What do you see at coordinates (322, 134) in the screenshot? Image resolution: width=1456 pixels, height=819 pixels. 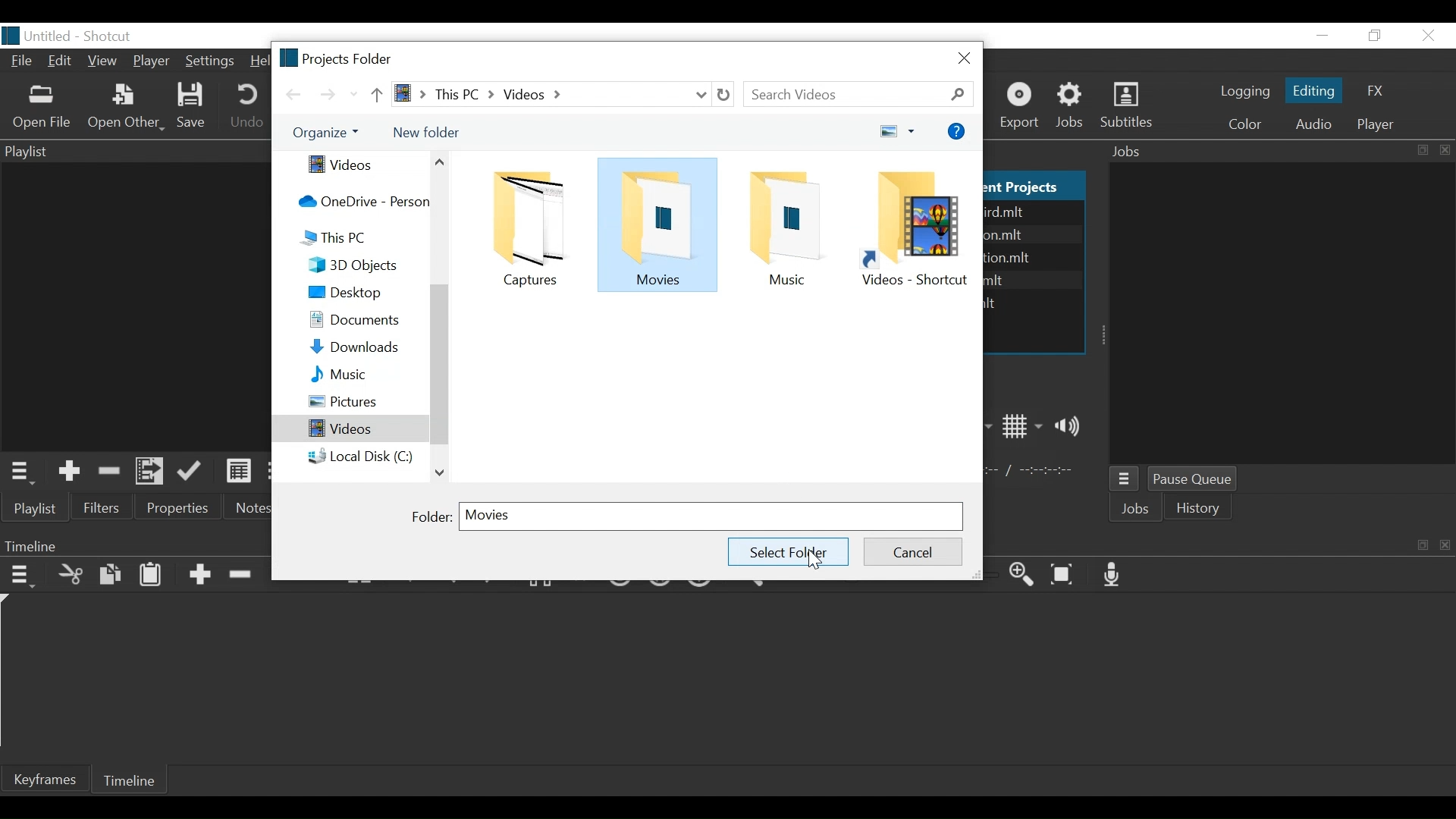 I see `Organize` at bounding box center [322, 134].